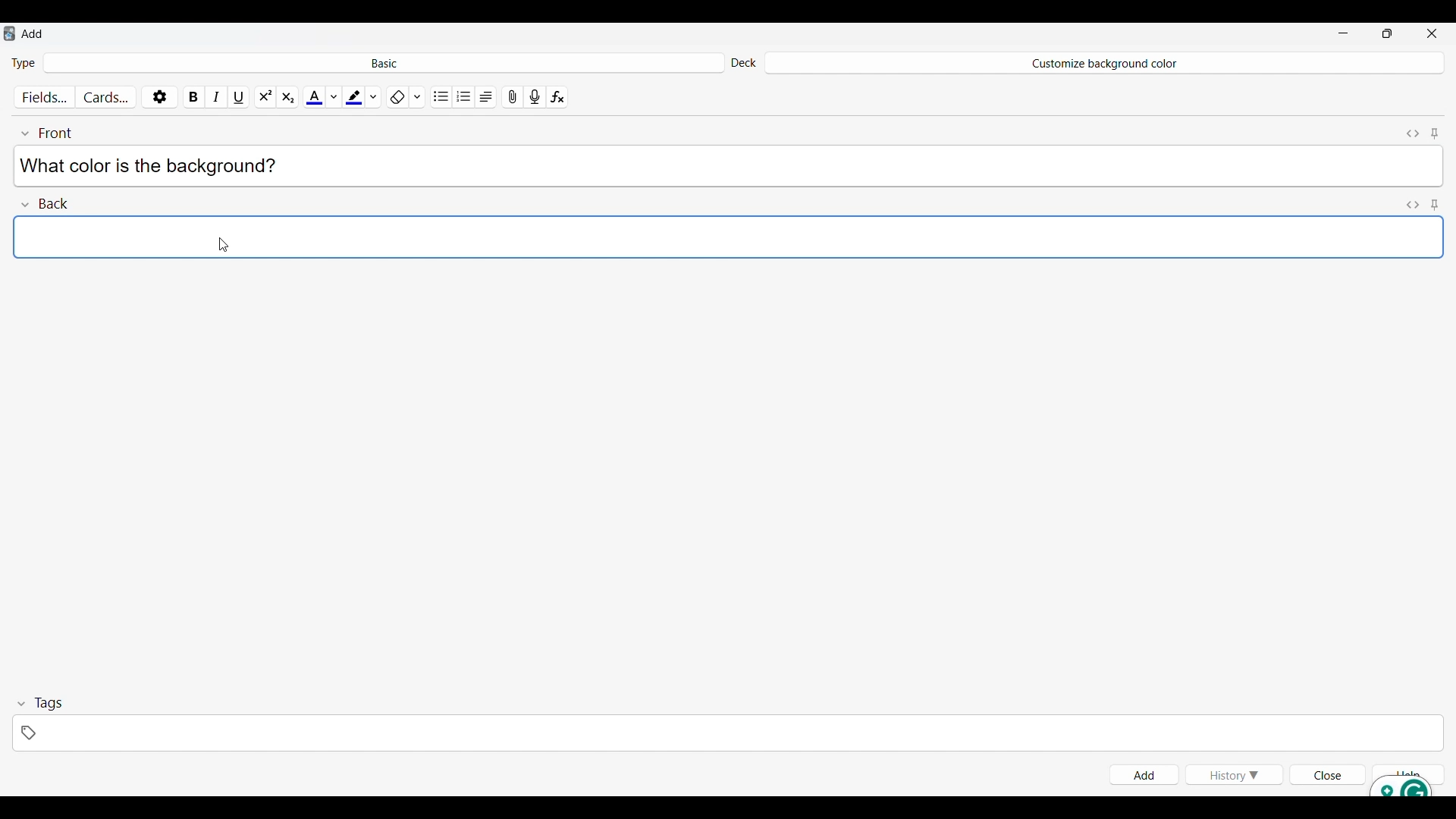 This screenshot has height=819, width=1456. What do you see at coordinates (727, 237) in the screenshot?
I see `Text space selected` at bounding box center [727, 237].